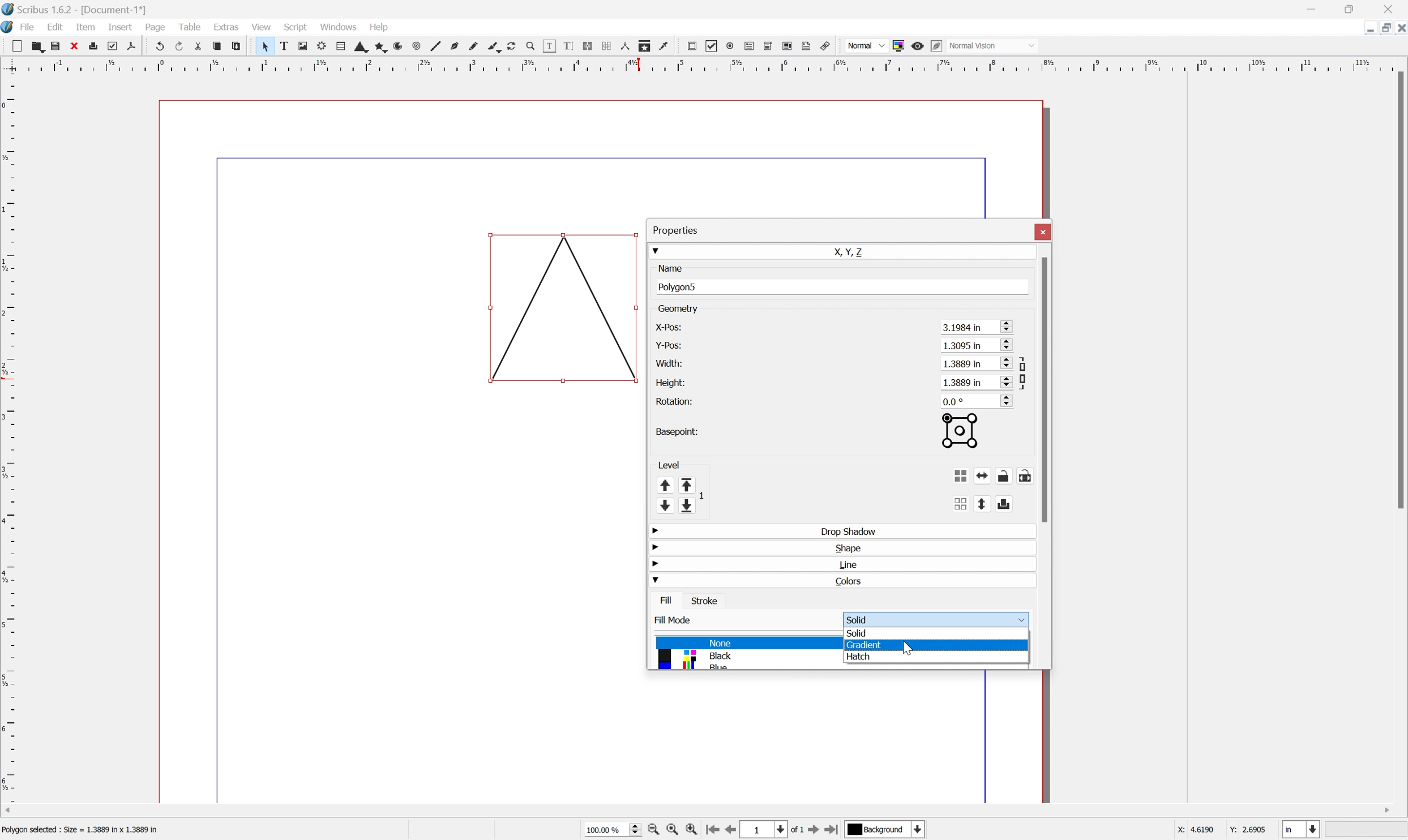 The image size is (1408, 840). I want to click on 1.3095 in, so click(978, 346).